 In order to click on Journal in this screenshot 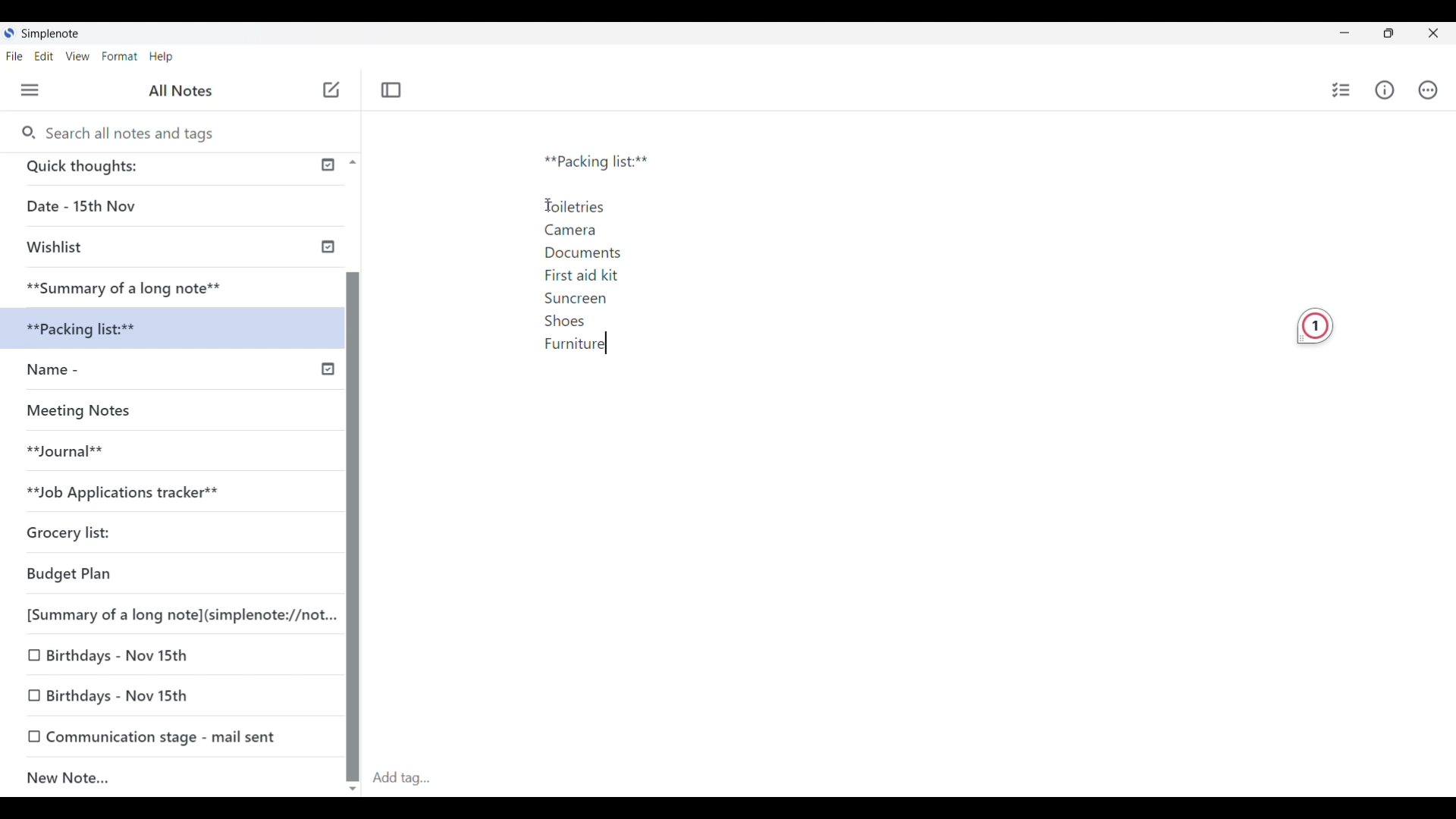, I will do `click(83, 457)`.